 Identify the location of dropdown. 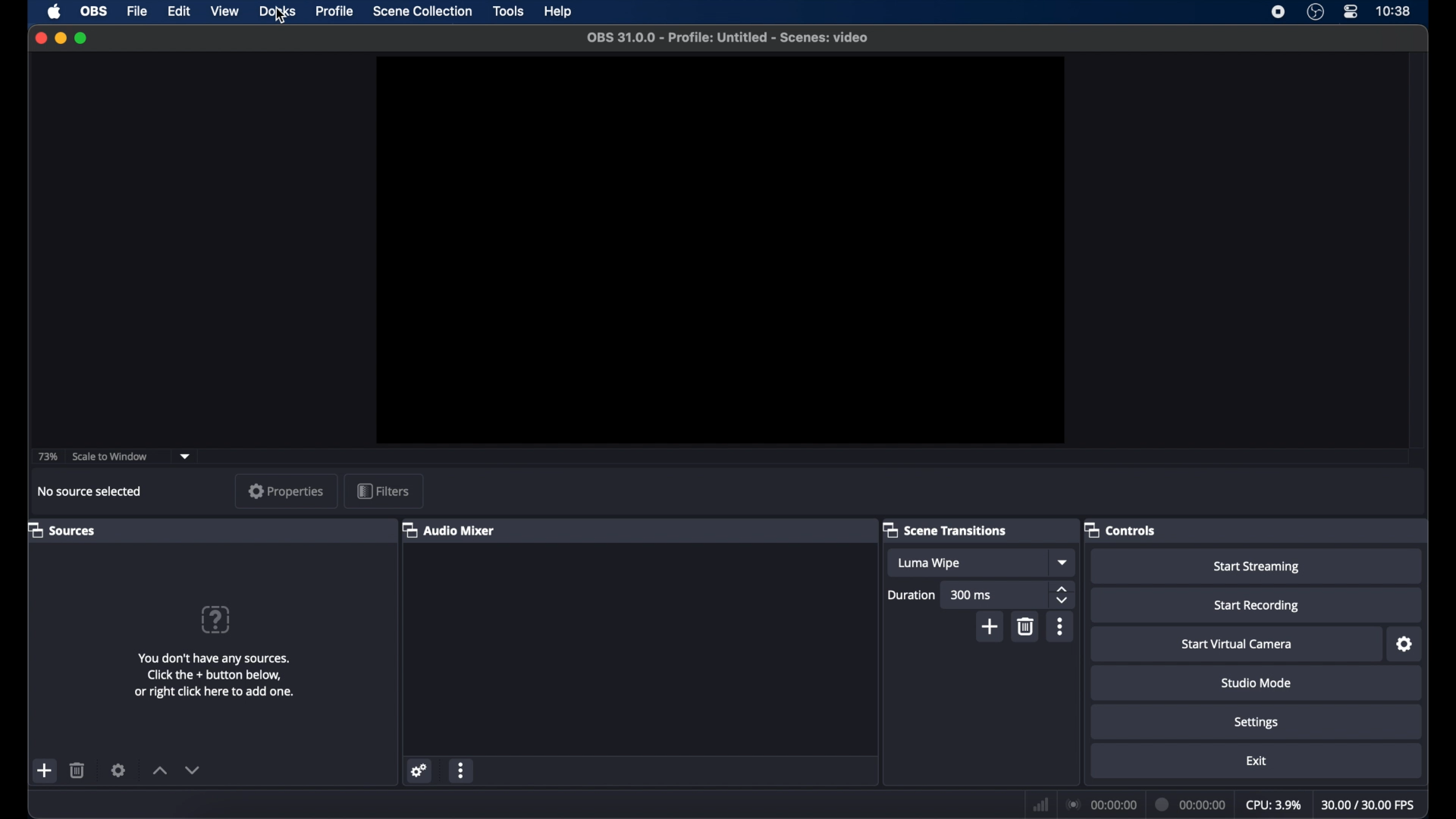
(1064, 562).